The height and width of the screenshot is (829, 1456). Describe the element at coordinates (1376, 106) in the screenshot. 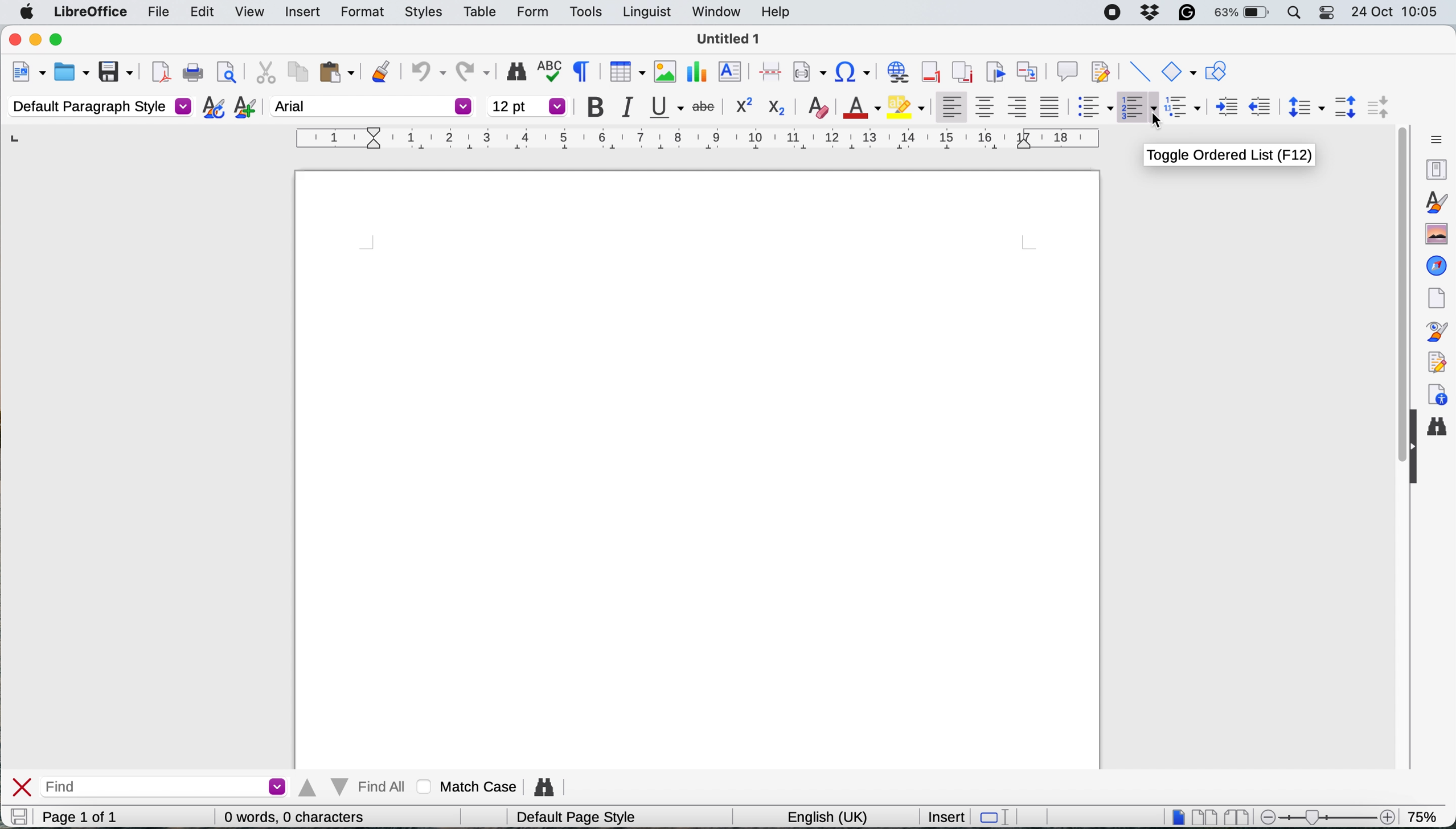

I see `decrease paragraph spacing` at that location.